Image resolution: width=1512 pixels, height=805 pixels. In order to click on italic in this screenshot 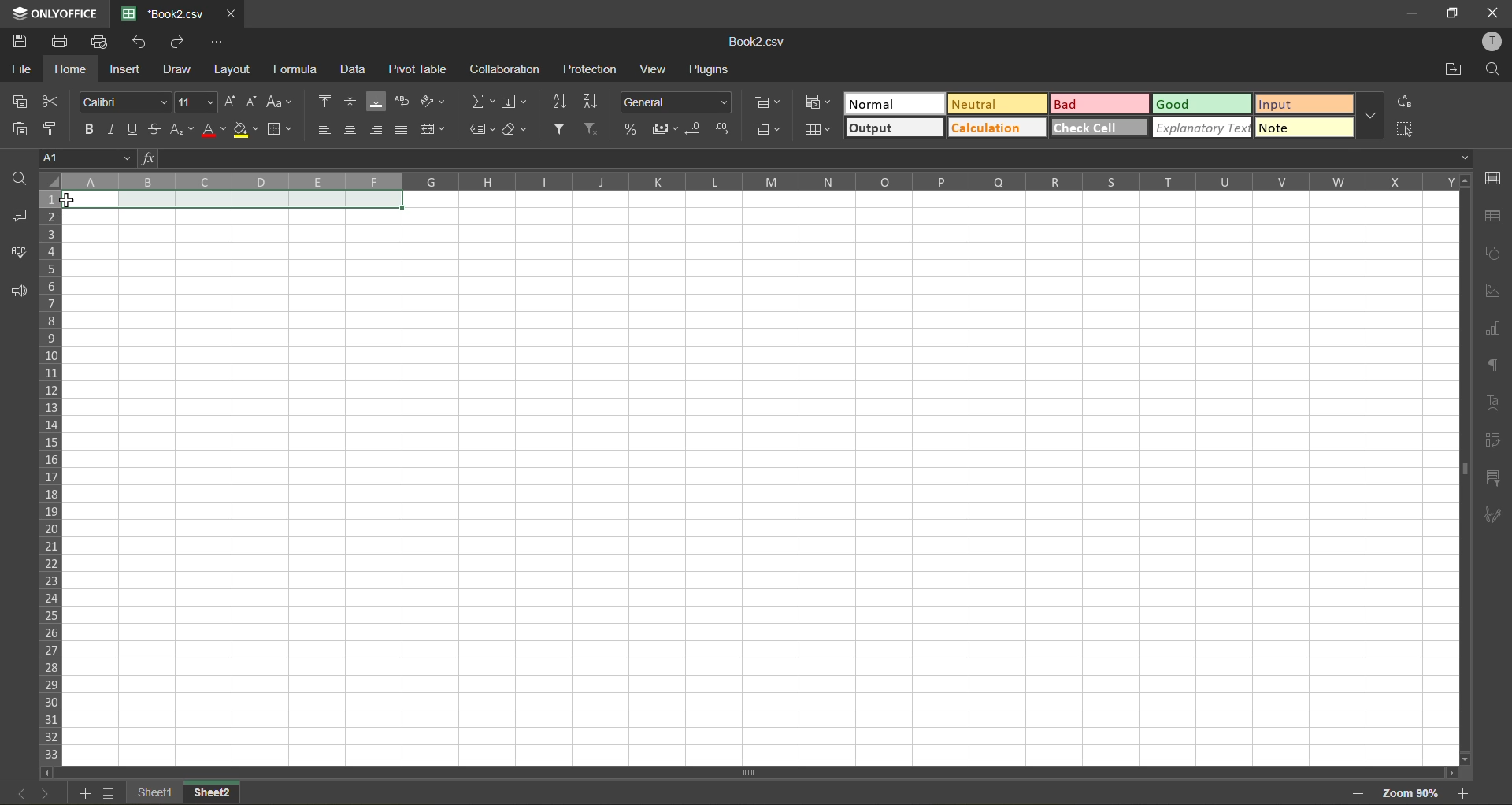, I will do `click(110, 128)`.